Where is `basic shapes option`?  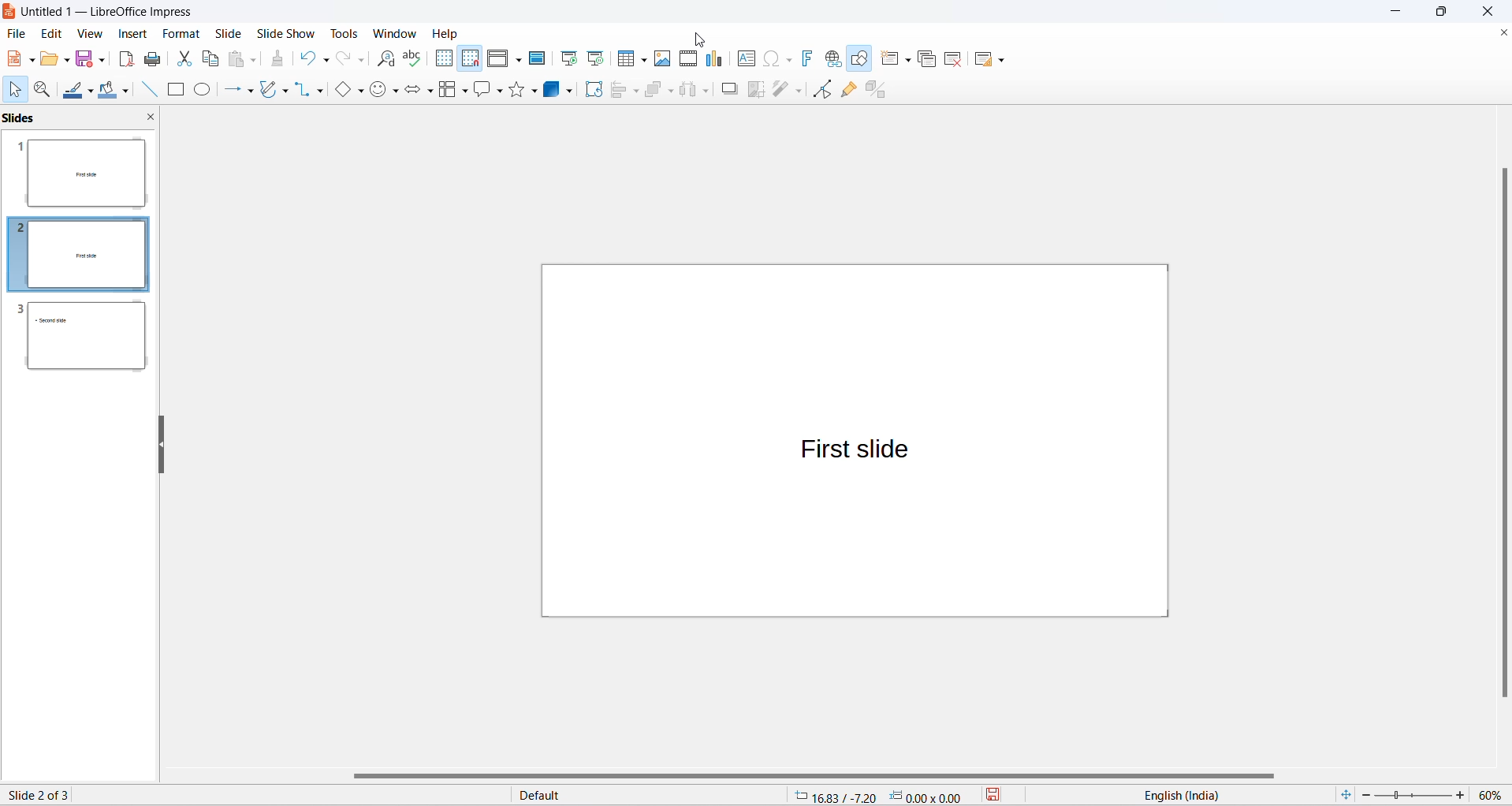 basic shapes option is located at coordinates (359, 91).